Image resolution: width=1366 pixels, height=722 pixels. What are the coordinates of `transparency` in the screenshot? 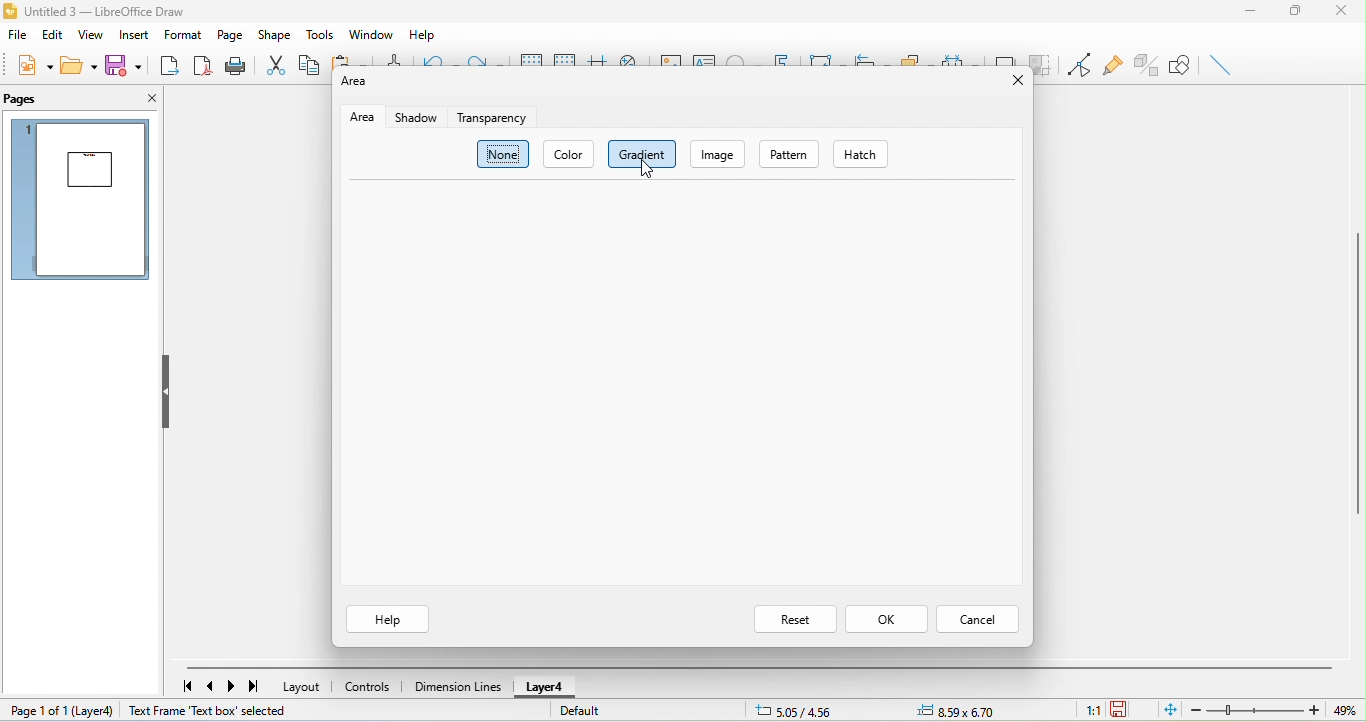 It's located at (496, 117).